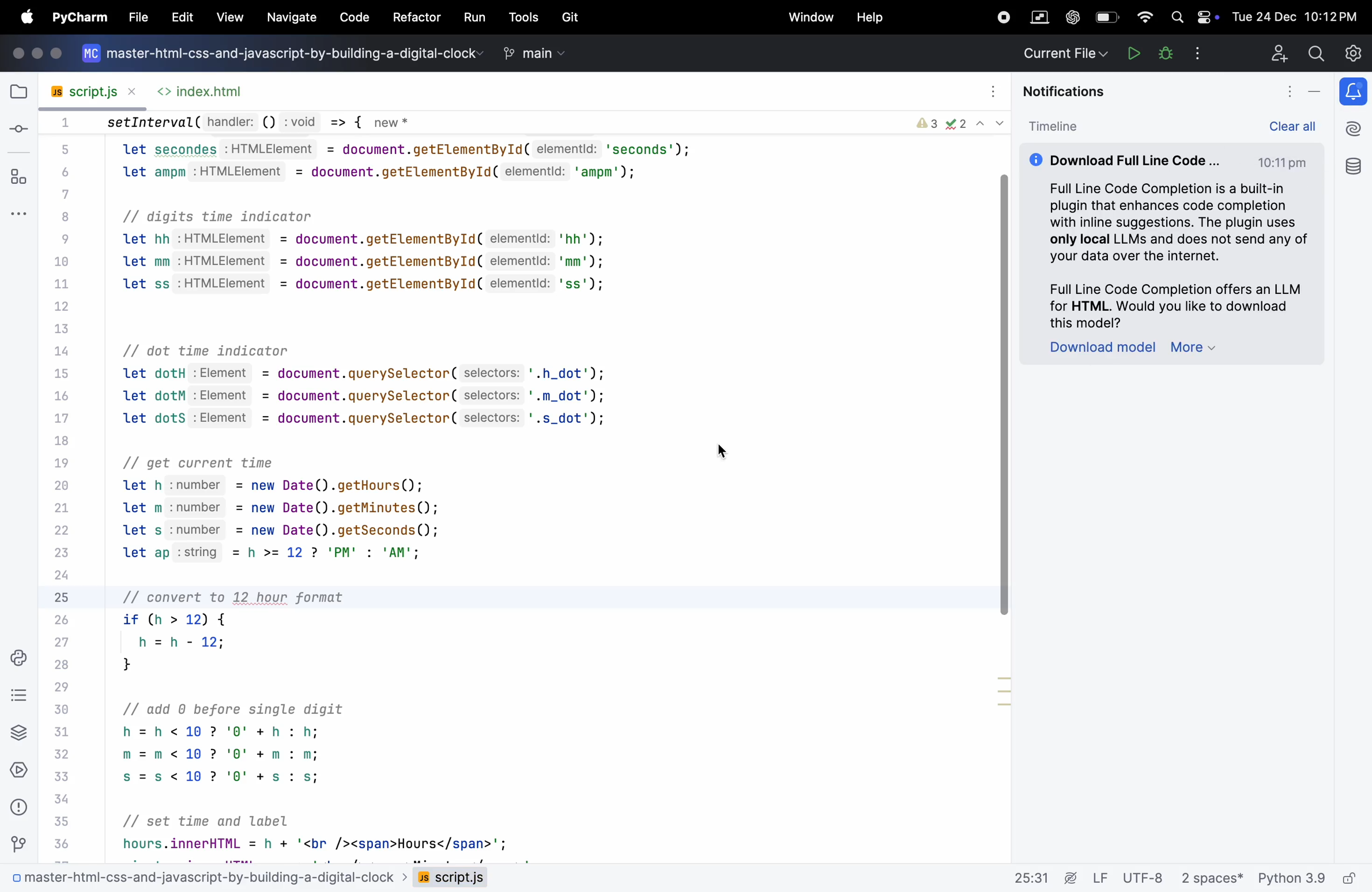 Image resolution: width=1372 pixels, height=892 pixels. What do you see at coordinates (1211, 878) in the screenshot?
I see `2 spaces` at bounding box center [1211, 878].